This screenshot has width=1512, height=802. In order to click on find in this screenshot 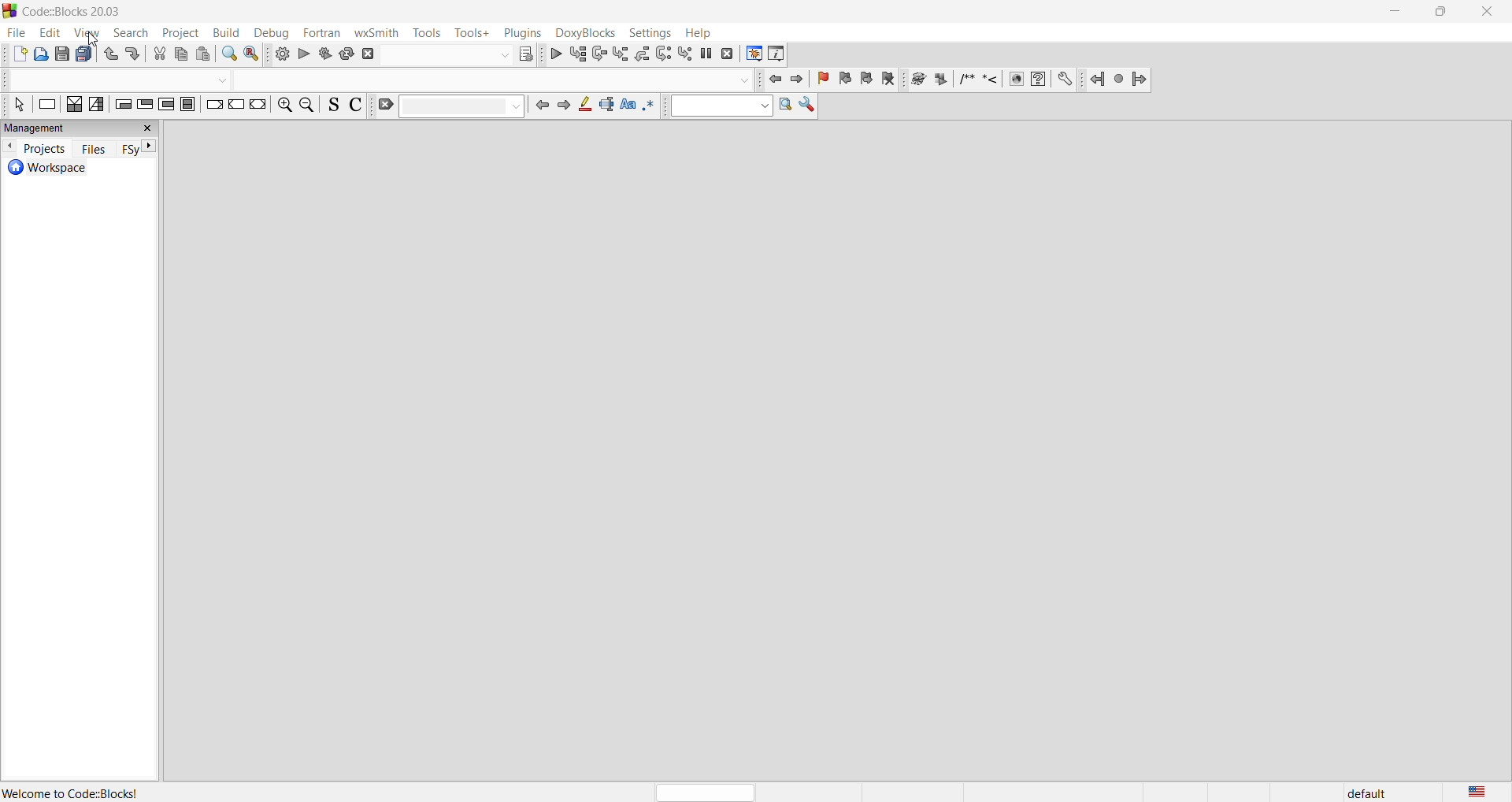, I will do `click(229, 54)`.